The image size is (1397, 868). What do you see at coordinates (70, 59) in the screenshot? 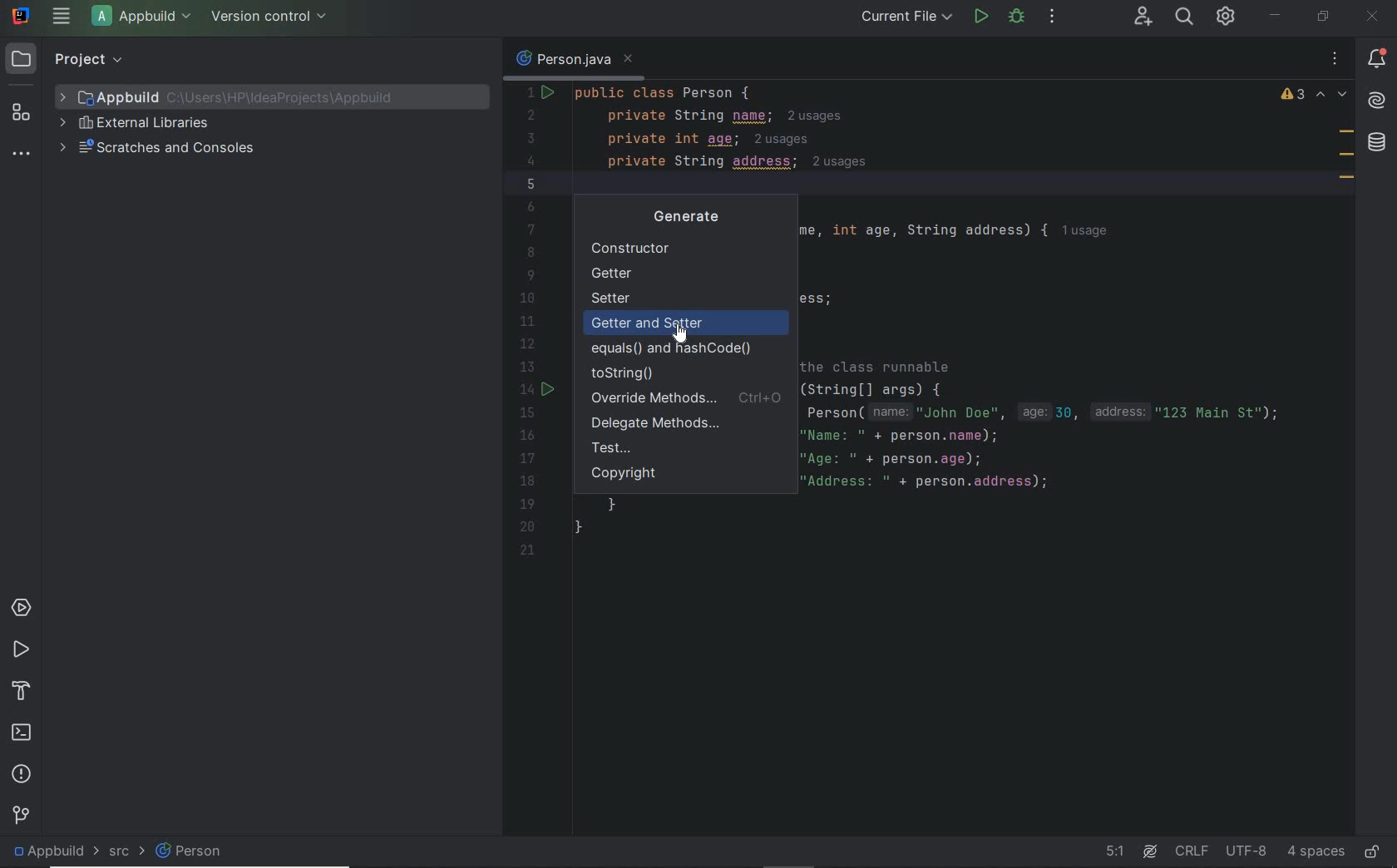
I see `project` at bounding box center [70, 59].